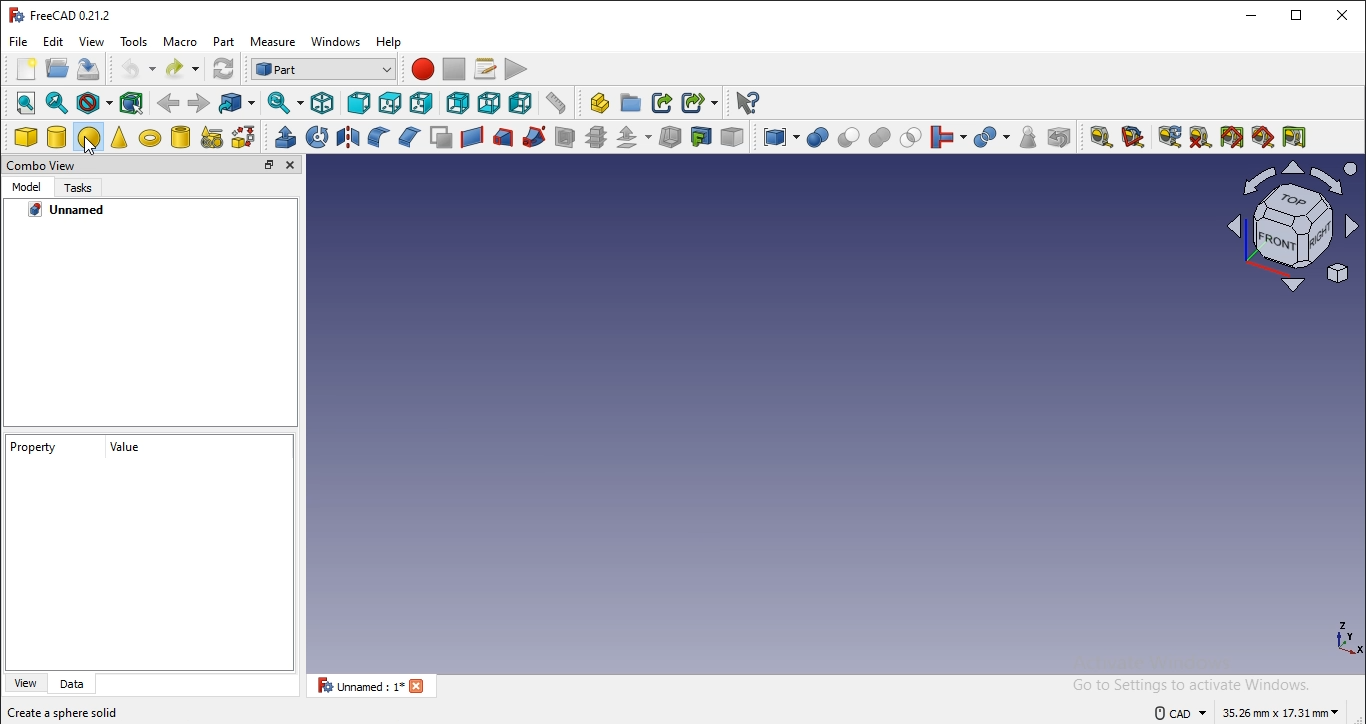  I want to click on windows, so click(335, 41).